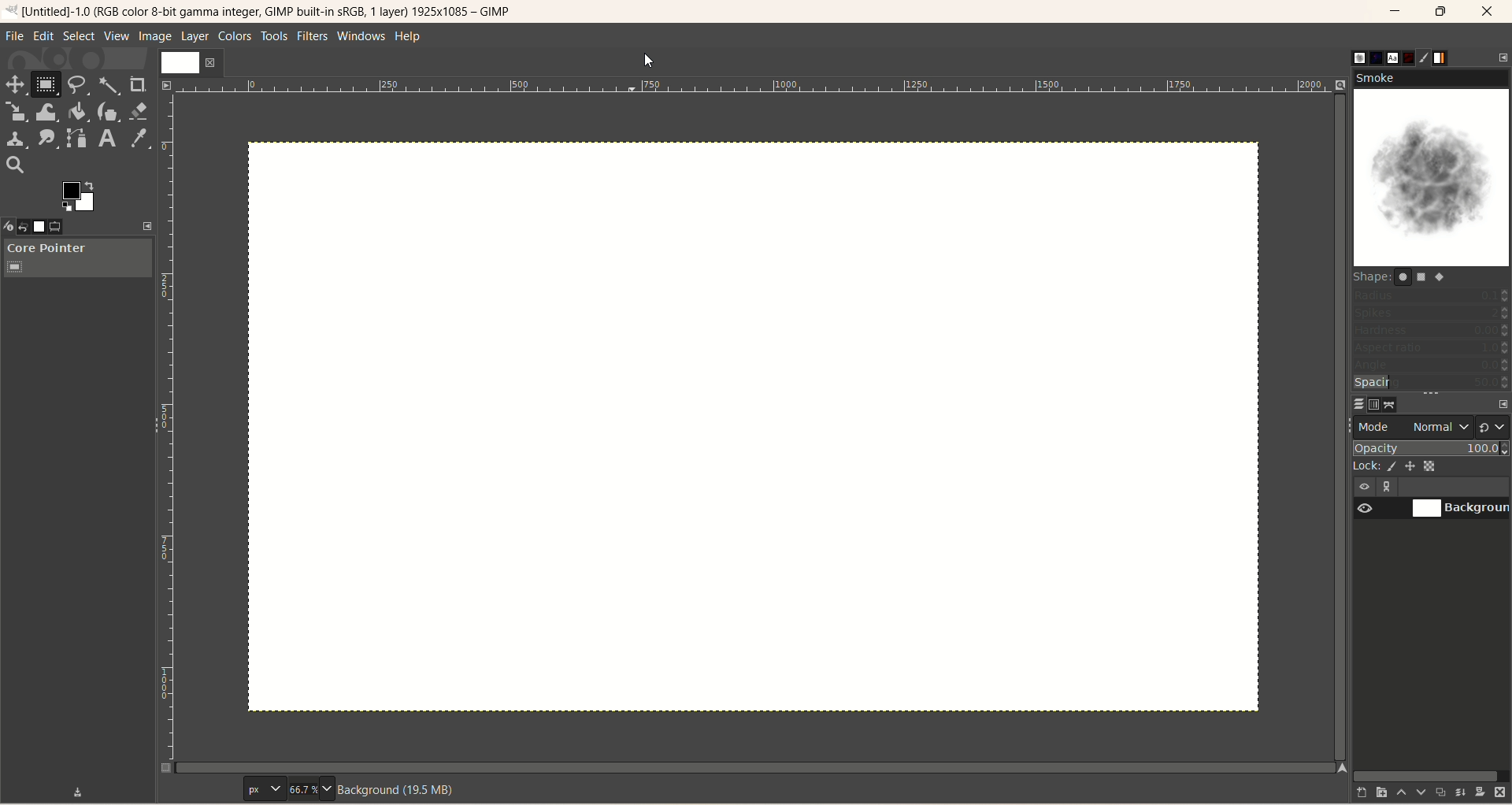  What do you see at coordinates (1442, 12) in the screenshot?
I see `maximize` at bounding box center [1442, 12].